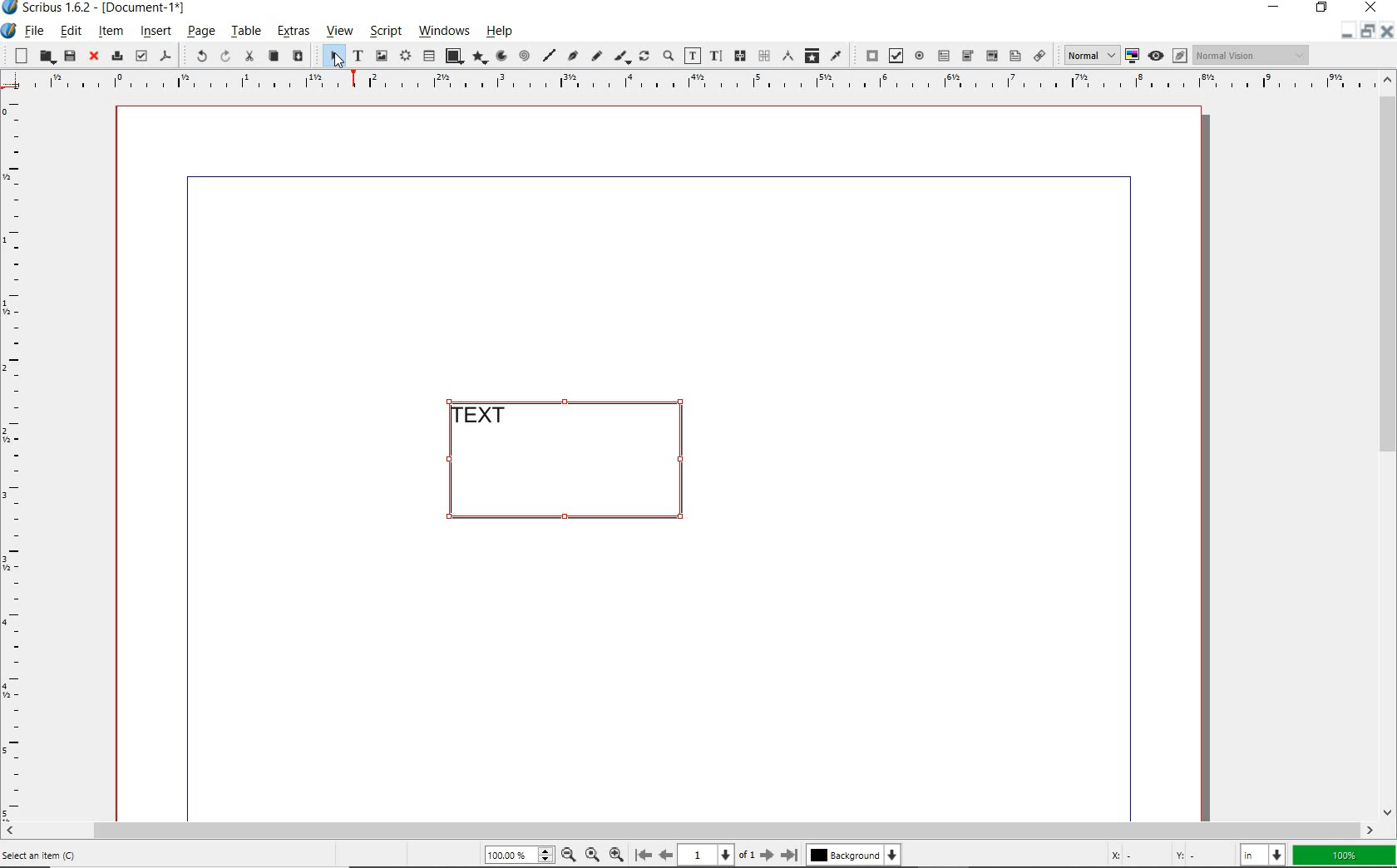 The image size is (1397, 868). I want to click on Cursor Position, so click(337, 60).